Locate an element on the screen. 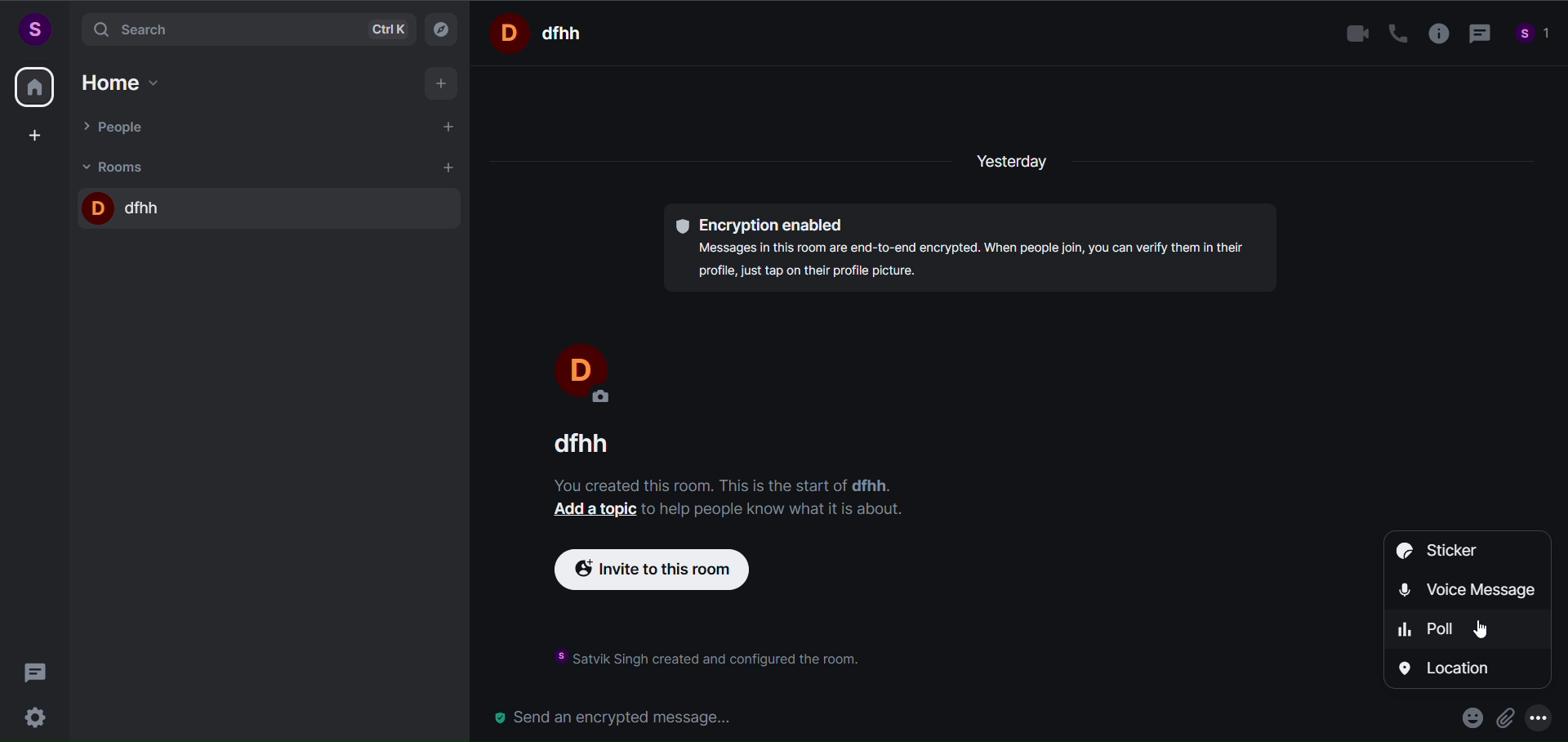 The image size is (1568, 742). people is located at coordinates (1534, 36).